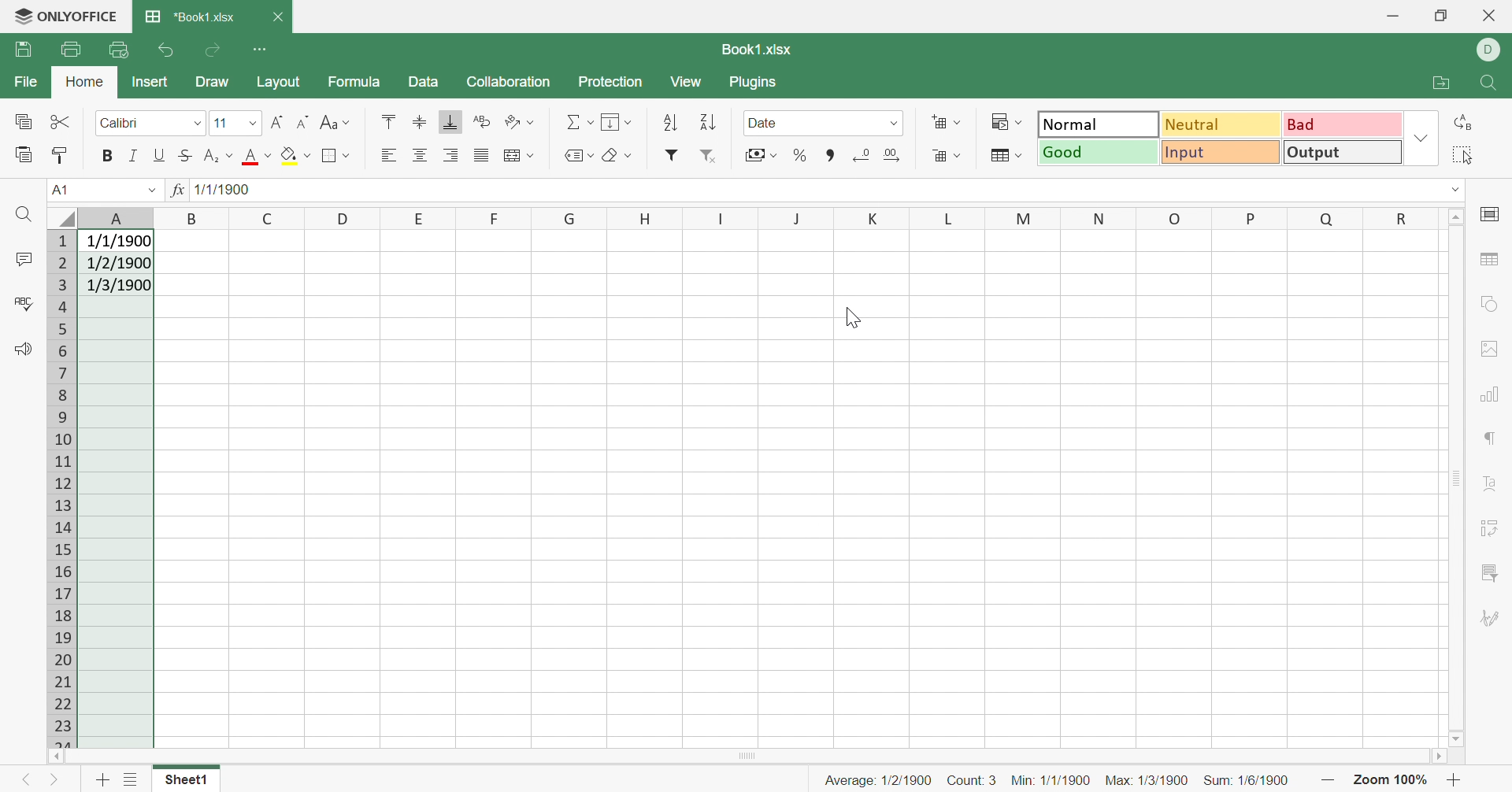 Image resolution: width=1512 pixels, height=792 pixels. I want to click on *Book1.xlsx, so click(188, 15).